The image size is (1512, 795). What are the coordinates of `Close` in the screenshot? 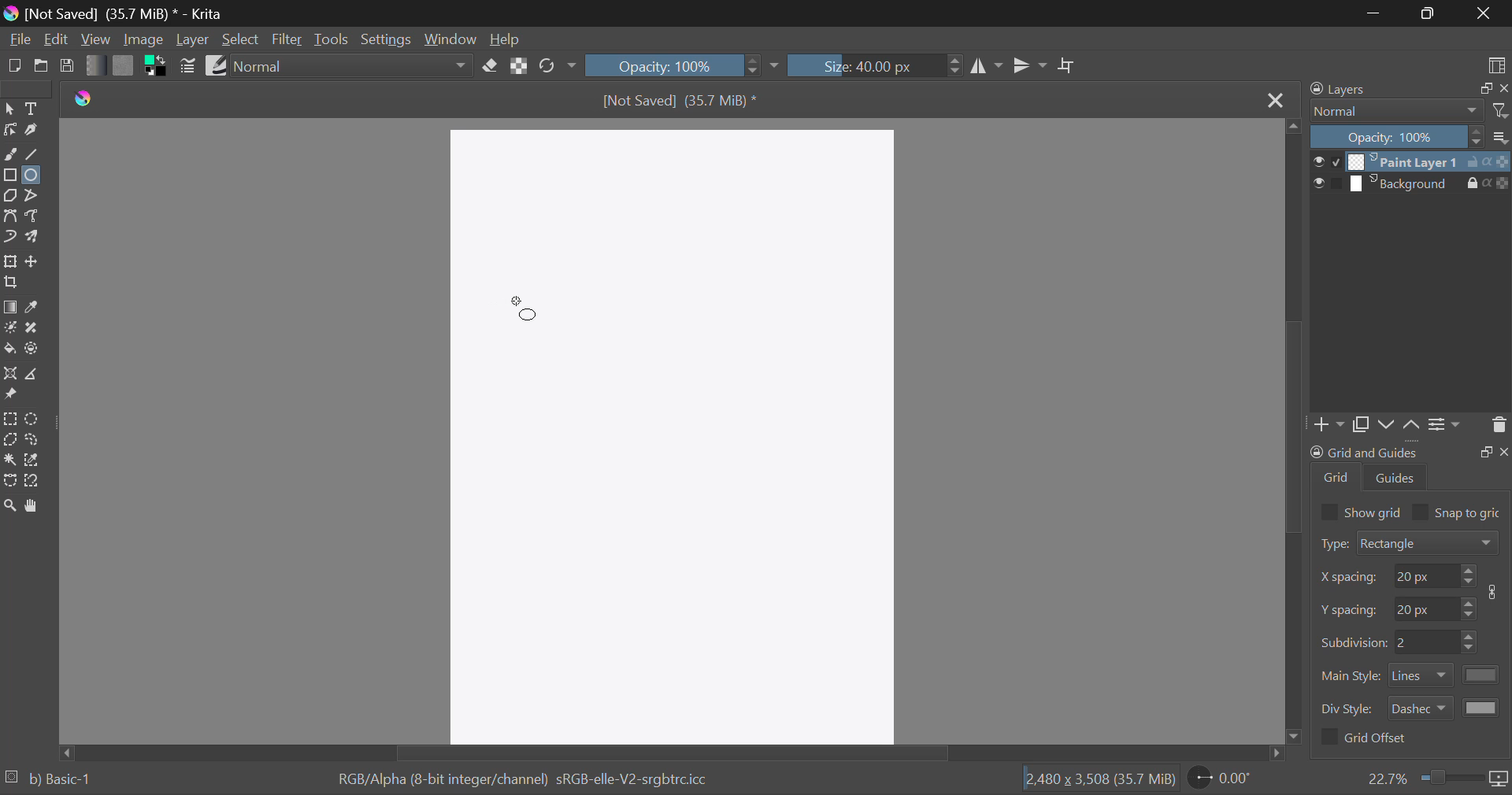 It's located at (1274, 100).